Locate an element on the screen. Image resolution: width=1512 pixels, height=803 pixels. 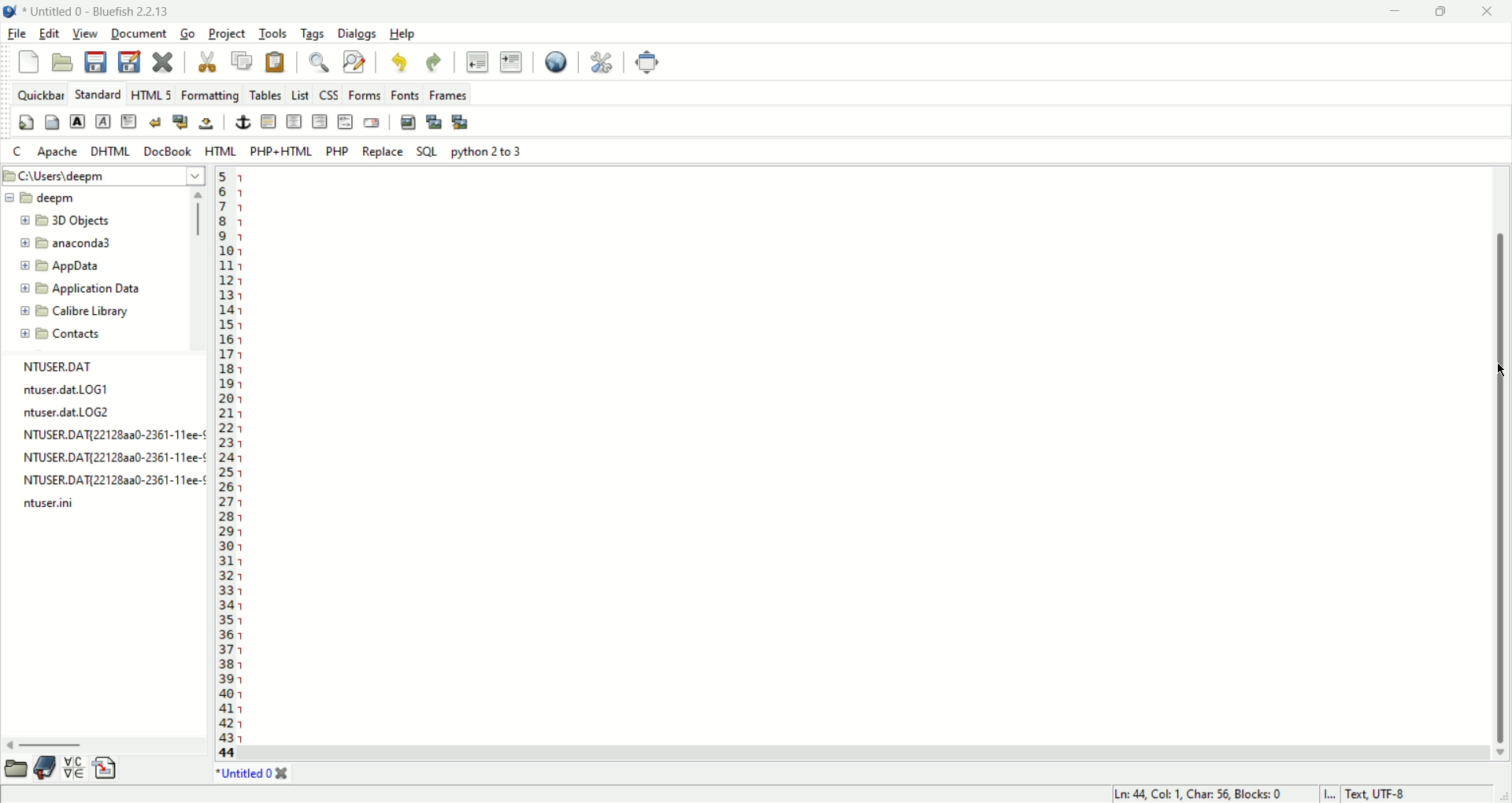
NTUSER.DAT

ntuser.dat.LOG1

ntuser.dat.LOG2
INTUSER.DAT{22128220-2361-11ee-¢
NTUSER.DAT{221282a0-2361-11ee-¢
INTUSER.DAT{22128220-2361-11ee-¢
ntuser.ini is located at coordinates (111, 435).